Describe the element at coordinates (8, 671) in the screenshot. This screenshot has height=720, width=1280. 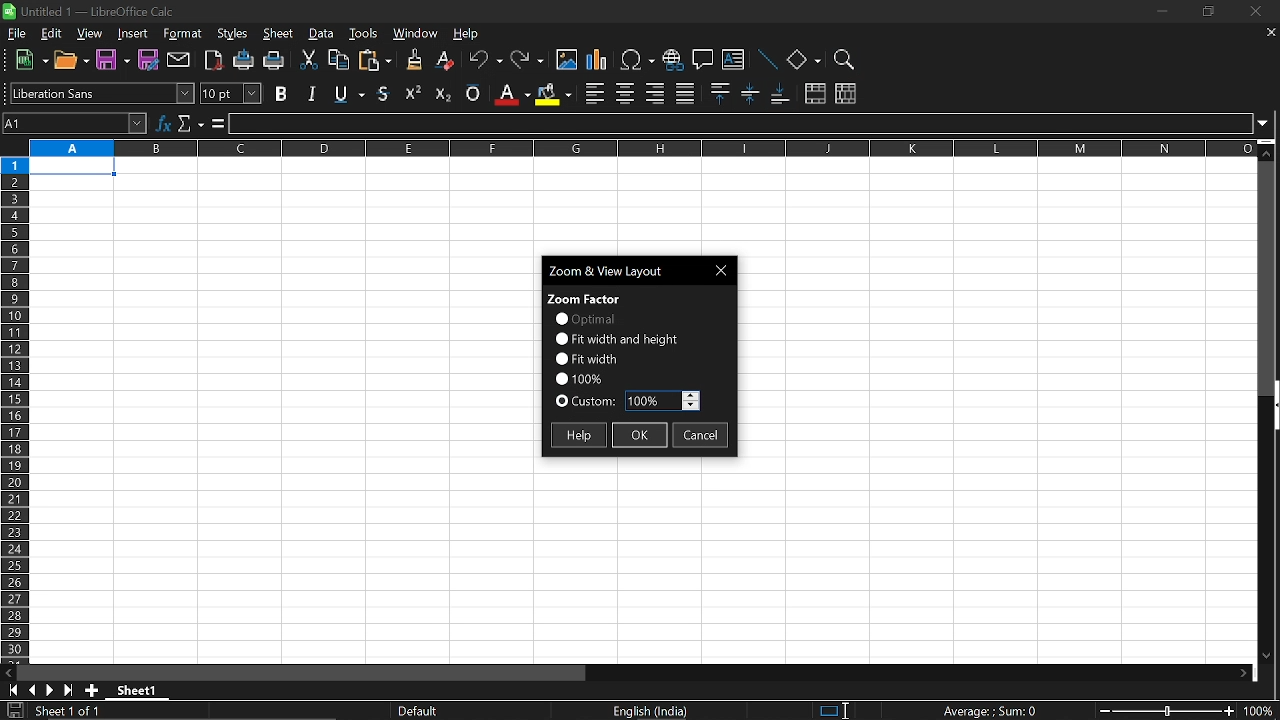
I see `move left` at that location.